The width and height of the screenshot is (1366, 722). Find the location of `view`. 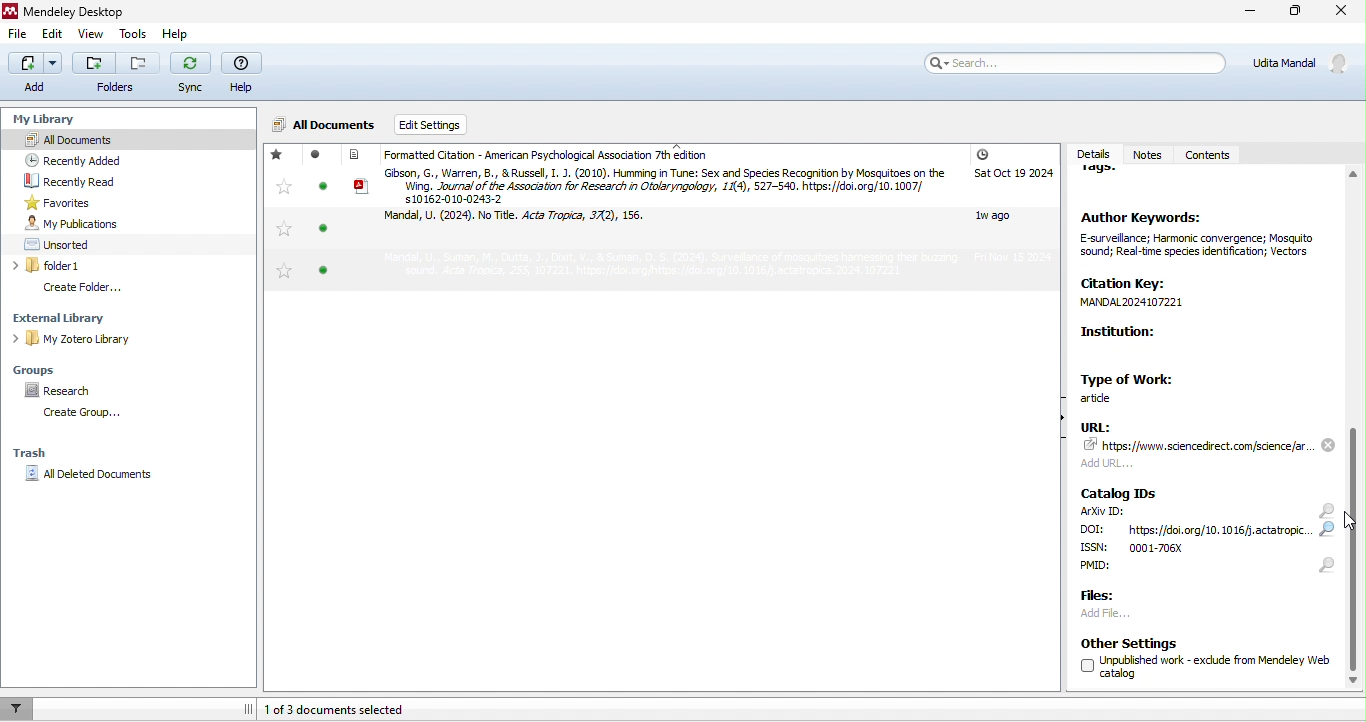

view is located at coordinates (88, 36).